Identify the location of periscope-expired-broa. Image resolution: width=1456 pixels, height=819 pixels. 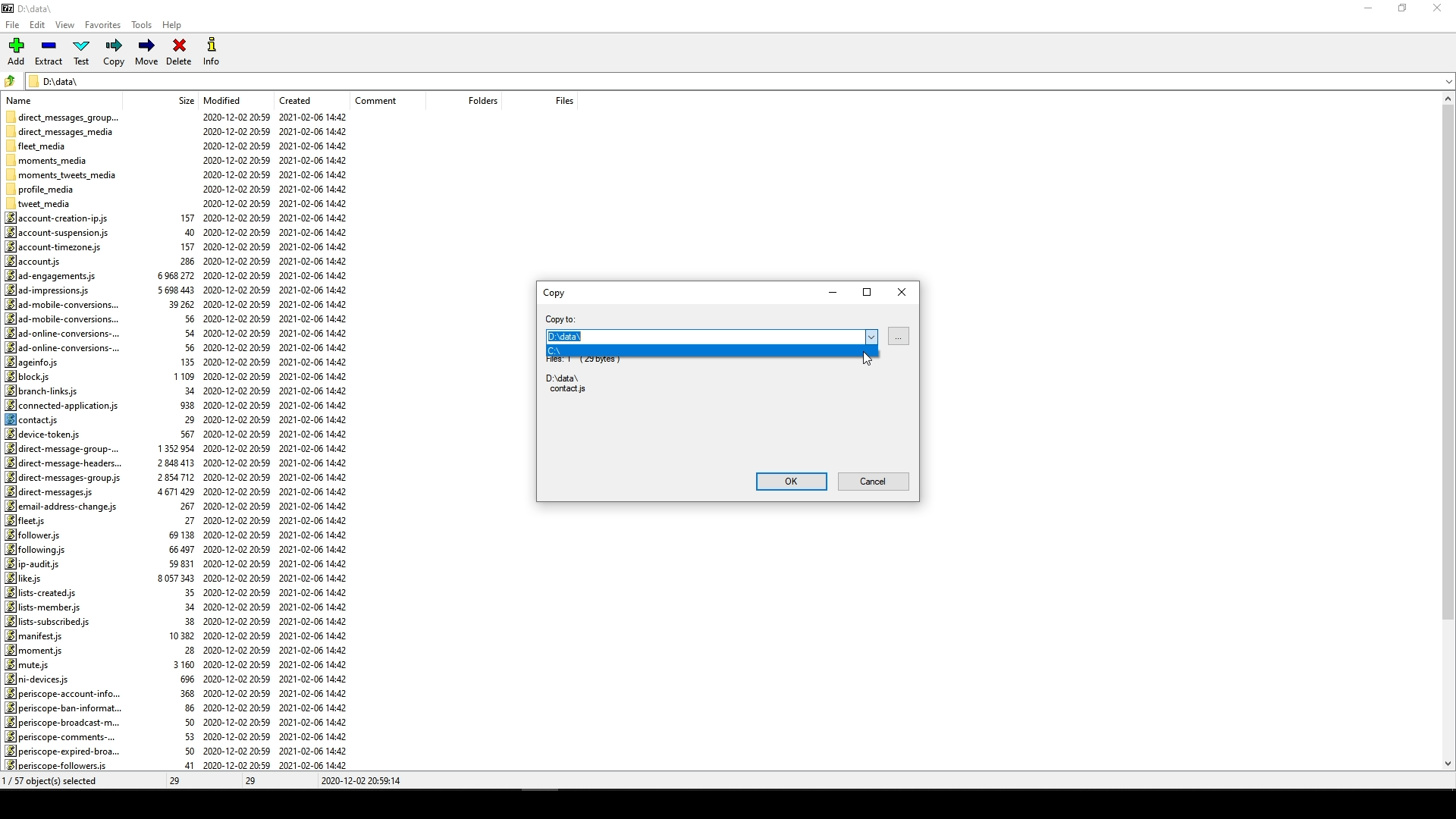
(64, 750).